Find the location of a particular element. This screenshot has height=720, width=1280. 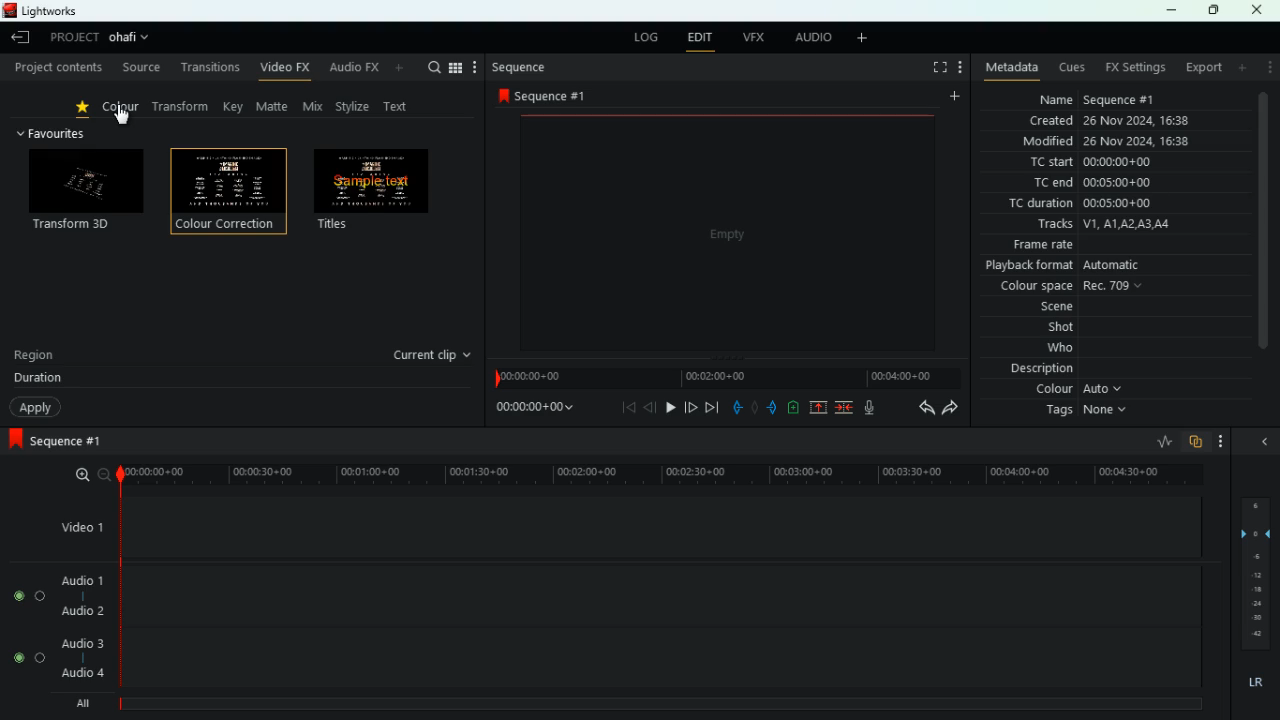

colour space is located at coordinates (1074, 287).